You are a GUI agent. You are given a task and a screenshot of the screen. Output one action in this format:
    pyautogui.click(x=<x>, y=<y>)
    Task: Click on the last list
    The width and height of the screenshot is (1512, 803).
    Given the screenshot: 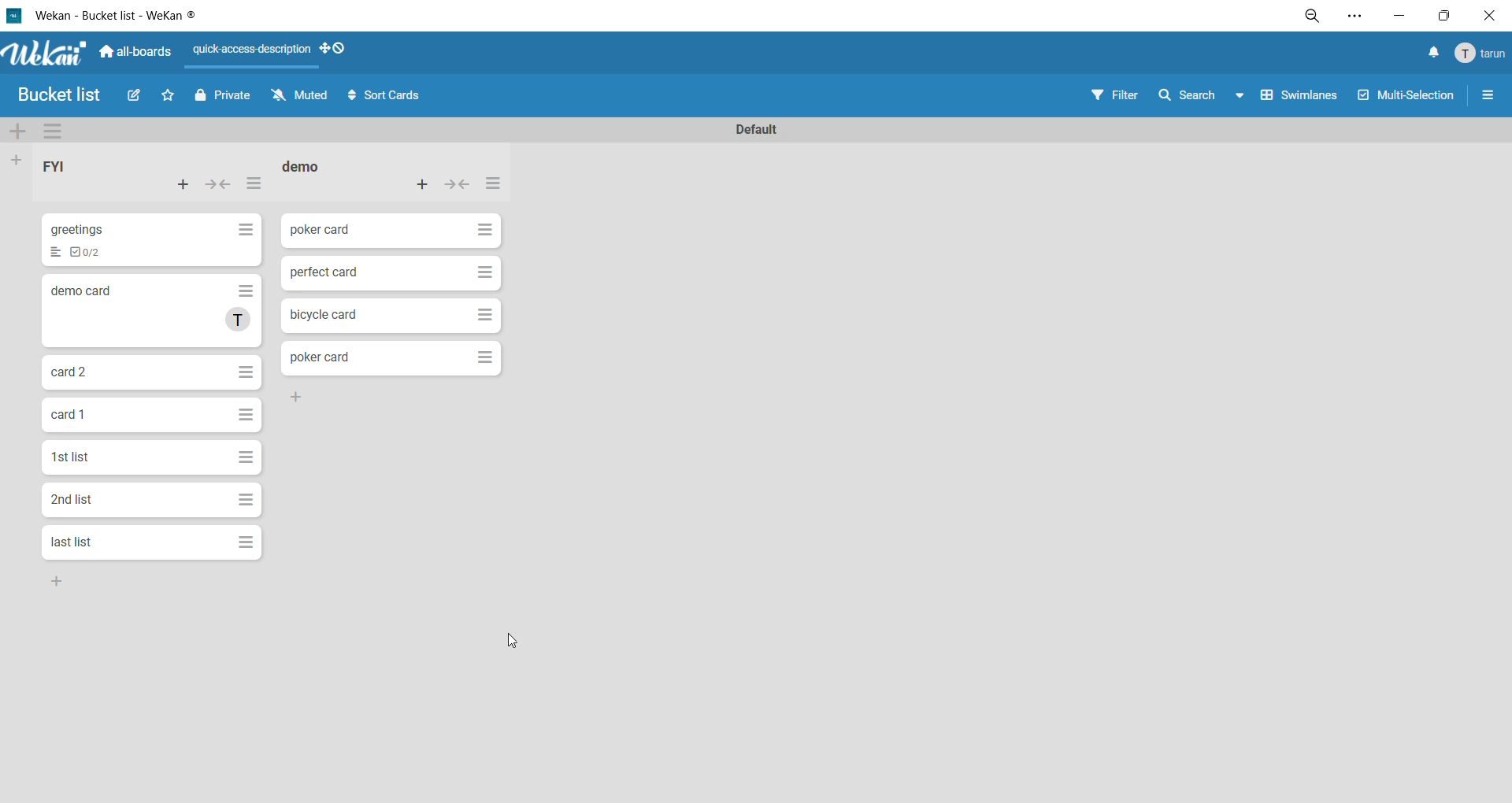 What is the action you would take?
    pyautogui.click(x=71, y=542)
    